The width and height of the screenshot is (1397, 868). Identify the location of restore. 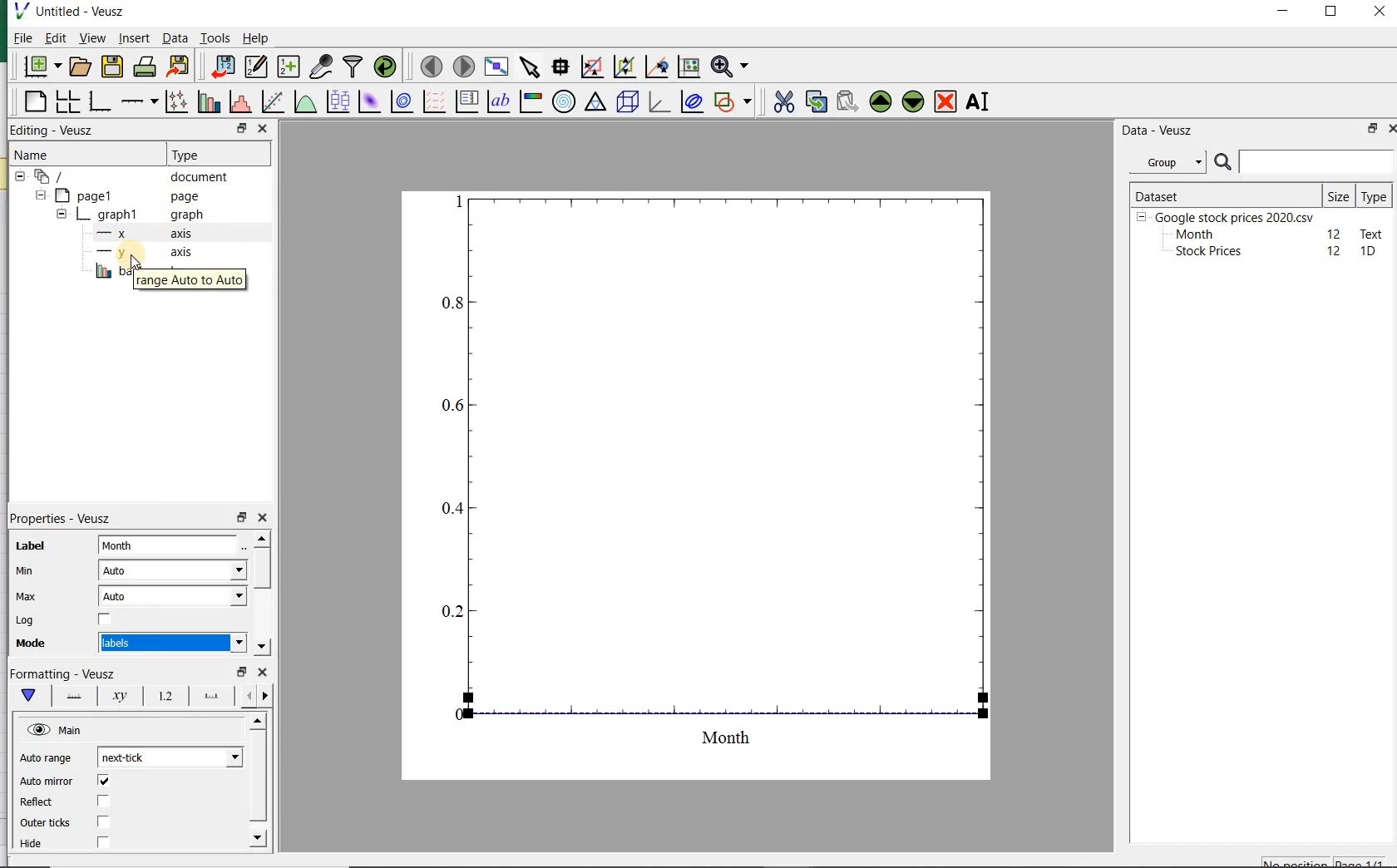
(242, 129).